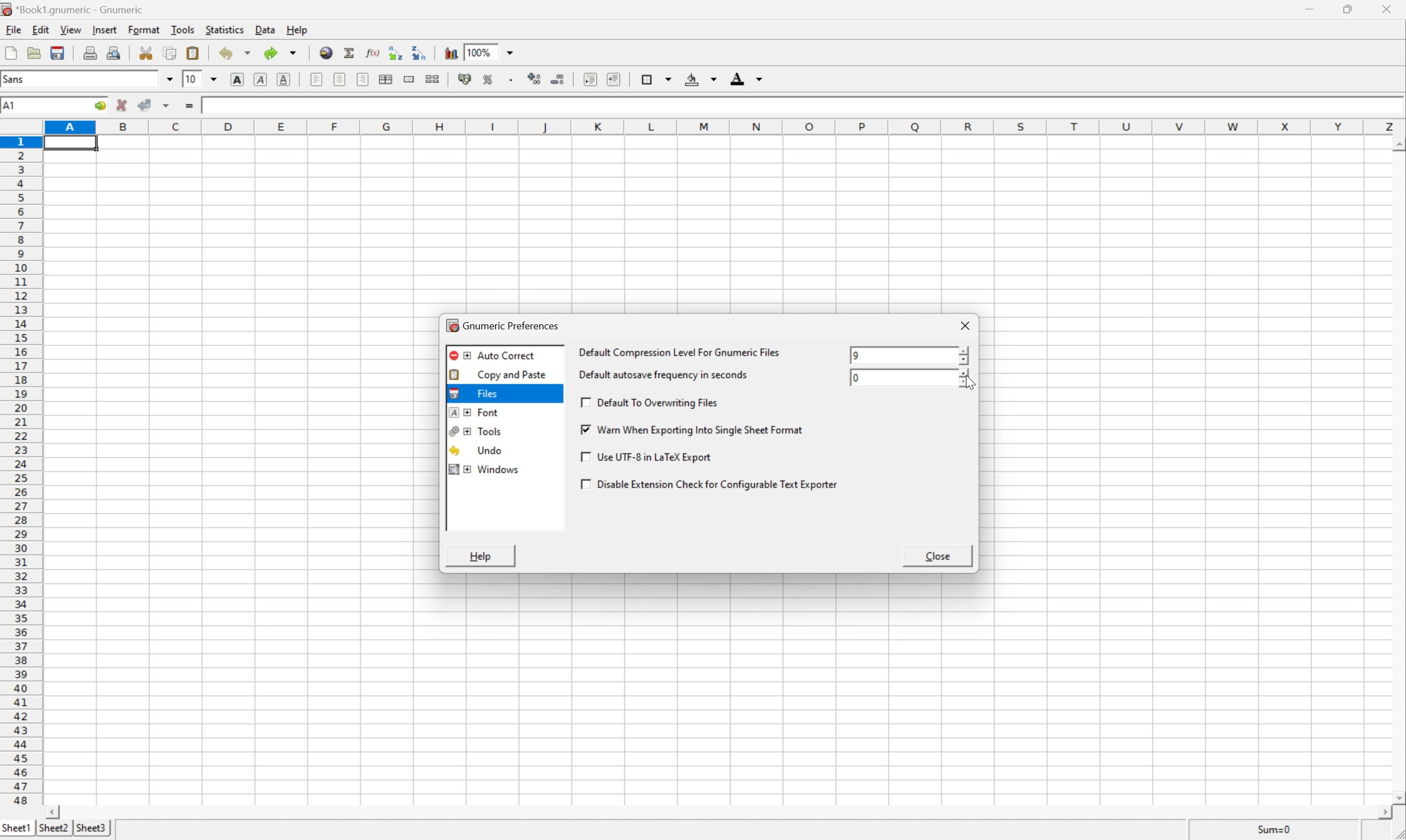 The image size is (1406, 840). Describe the element at coordinates (350, 53) in the screenshot. I see `sum in current cell` at that location.